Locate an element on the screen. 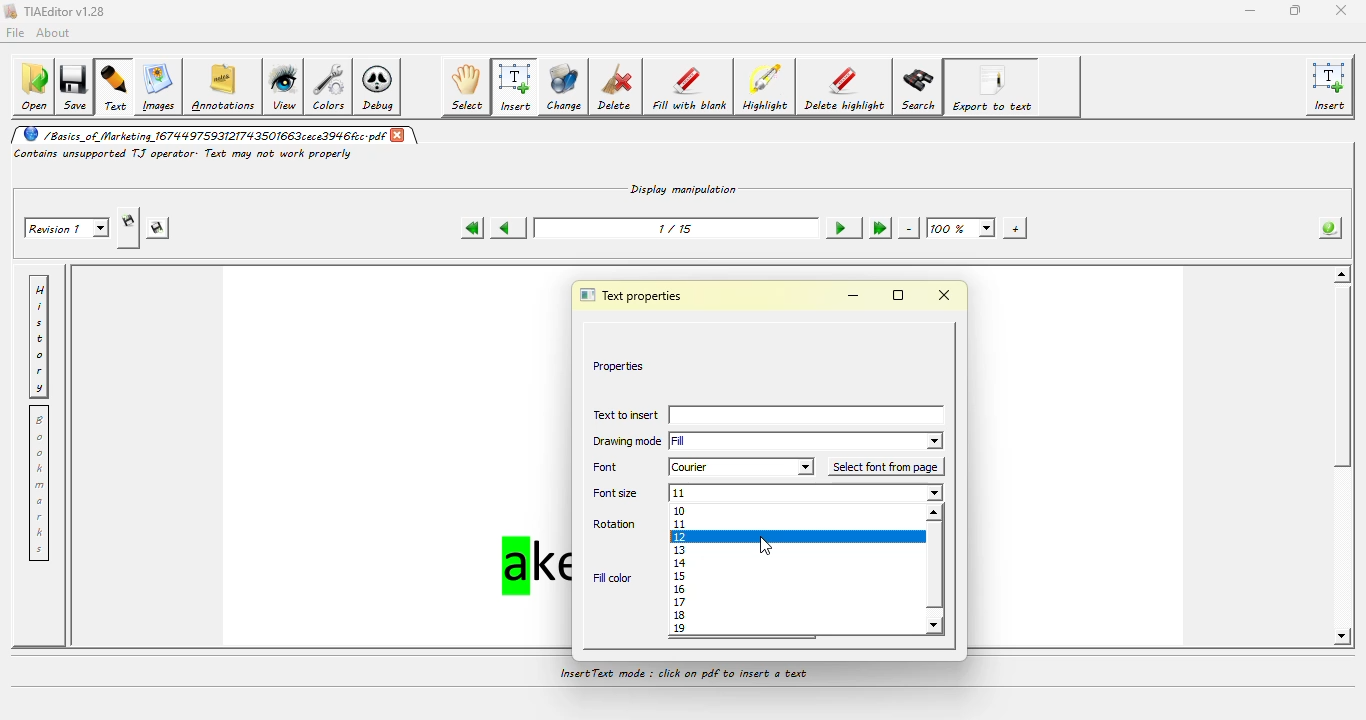  Drawing mode is located at coordinates (625, 443).